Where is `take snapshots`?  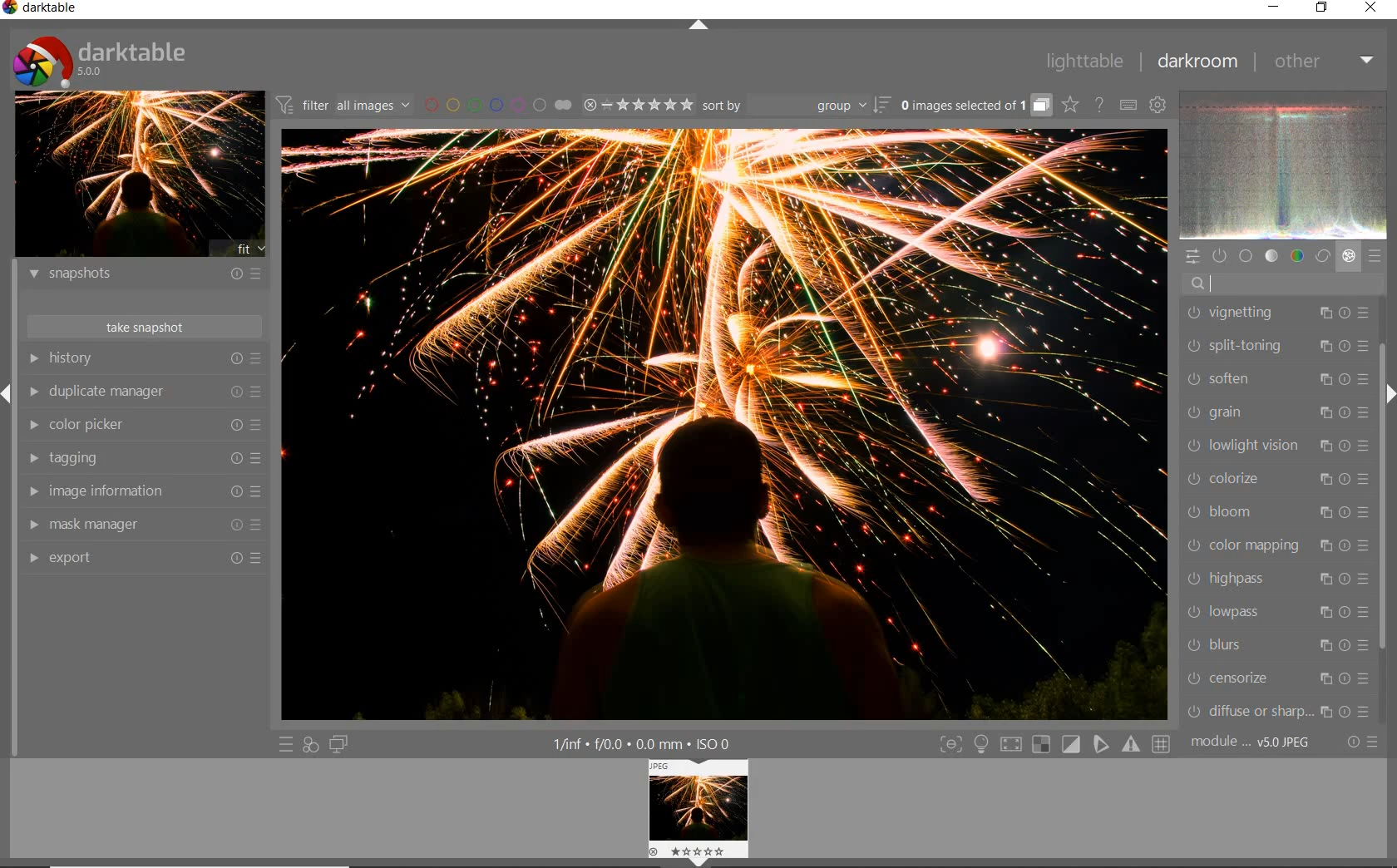 take snapshots is located at coordinates (144, 328).